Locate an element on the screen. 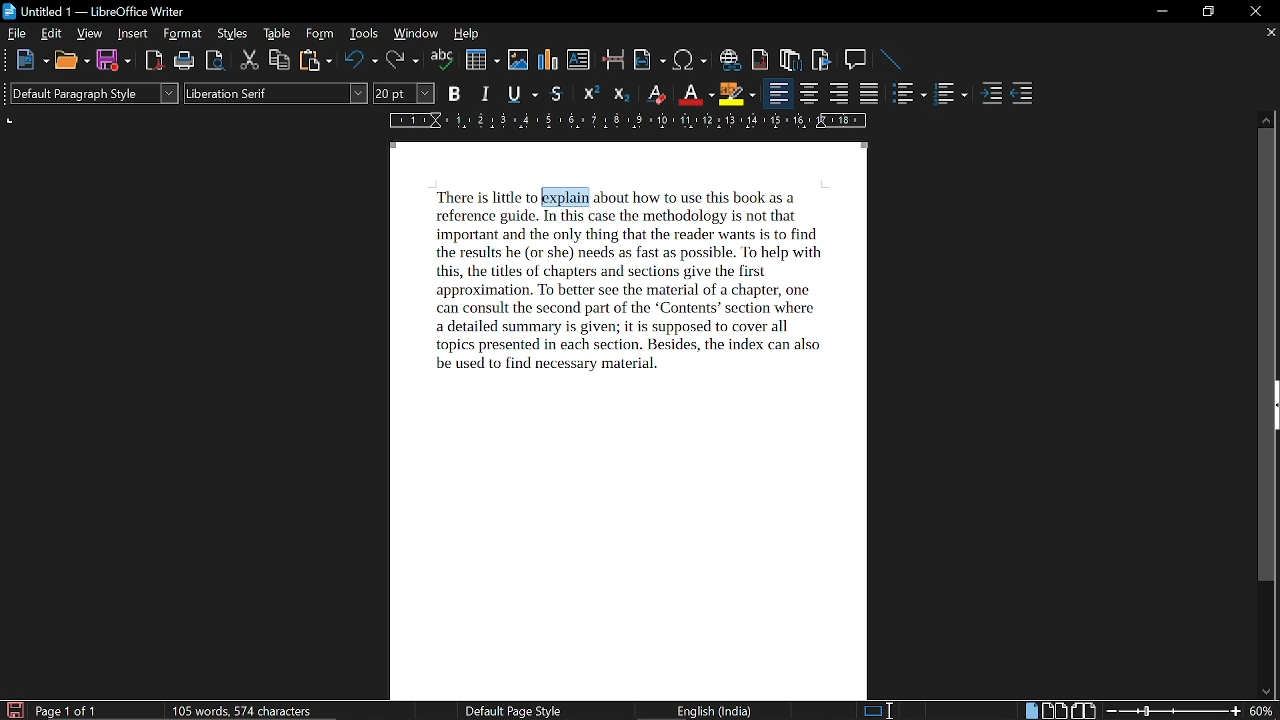 This screenshot has width=1280, height=720. There is little to is located at coordinates (479, 196).